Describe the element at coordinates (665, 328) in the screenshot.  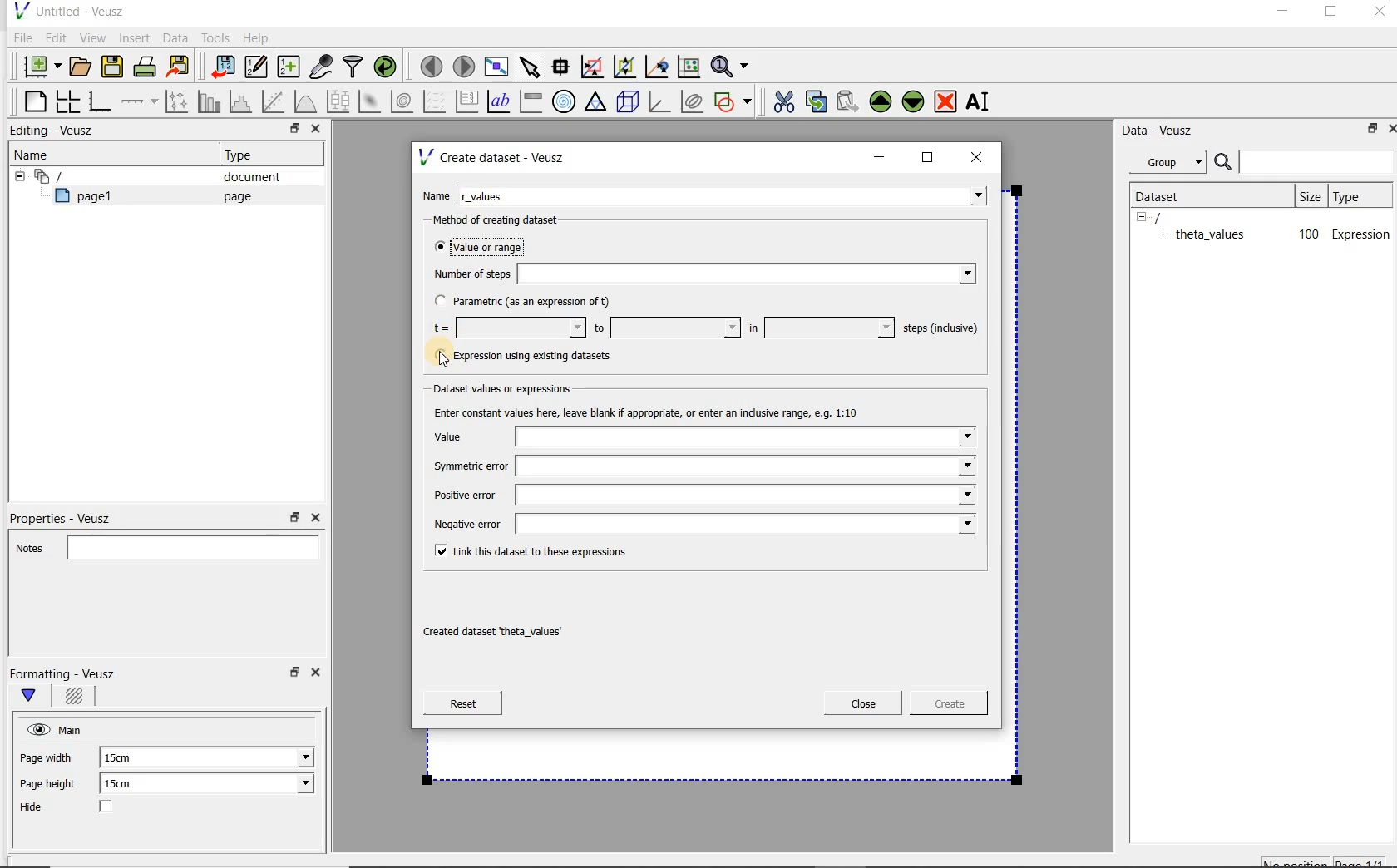
I see `to` at that location.